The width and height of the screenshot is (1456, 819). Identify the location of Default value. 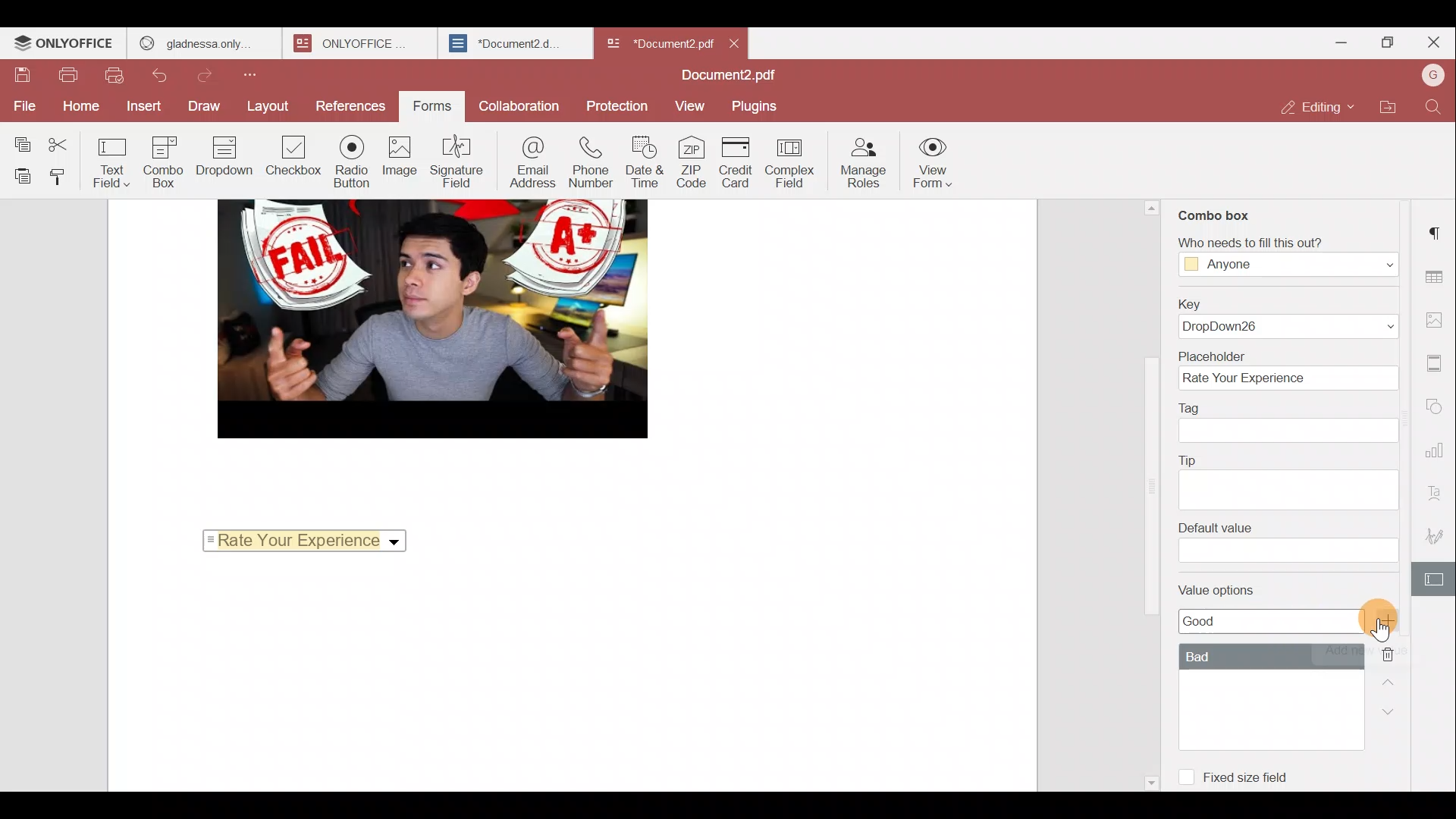
(1287, 542).